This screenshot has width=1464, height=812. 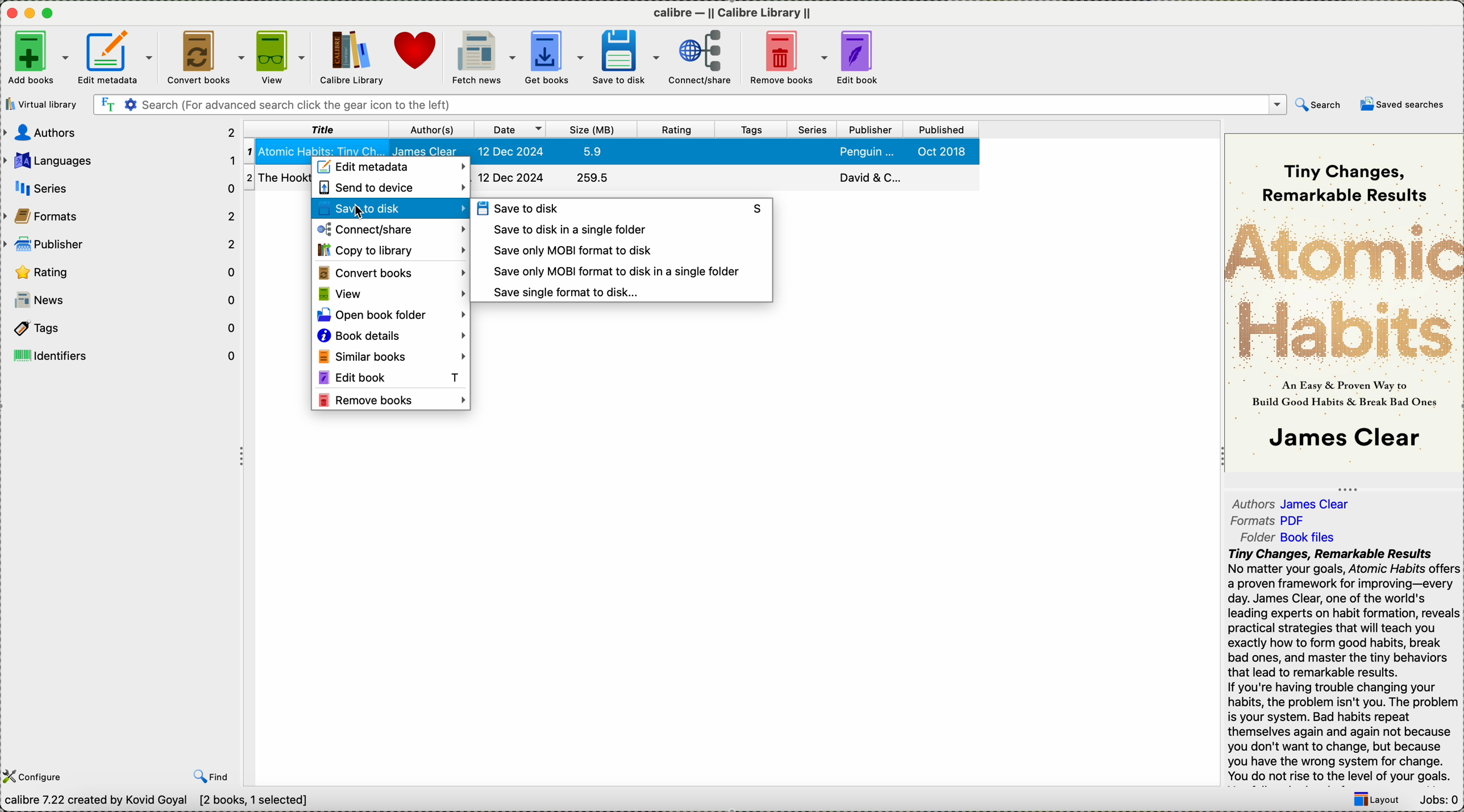 What do you see at coordinates (1437, 802) in the screenshot?
I see `Jobs: 0` at bounding box center [1437, 802].